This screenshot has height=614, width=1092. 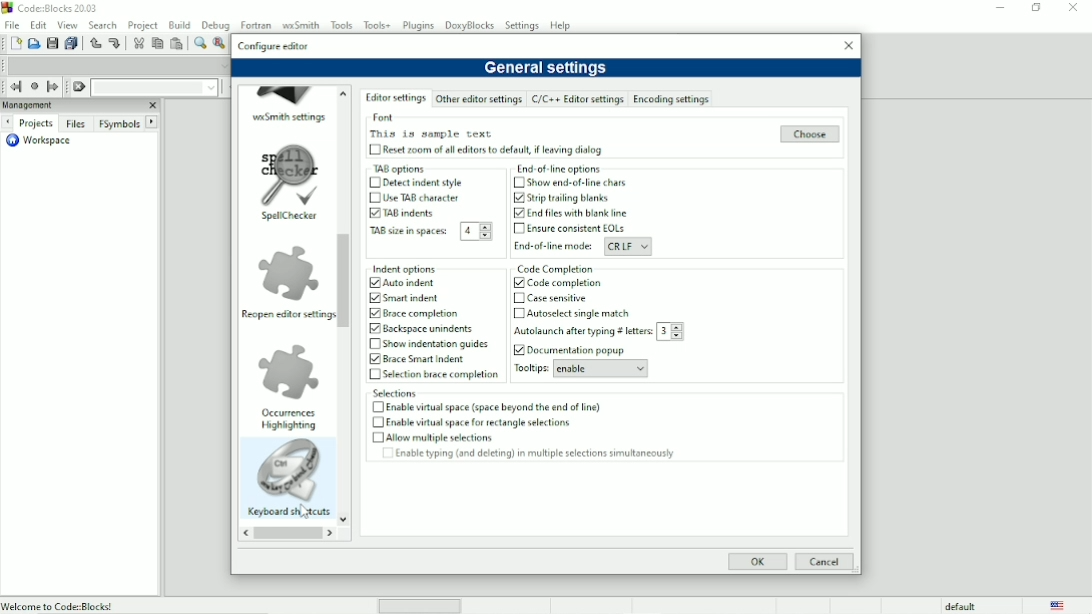 I want to click on , so click(x=517, y=313).